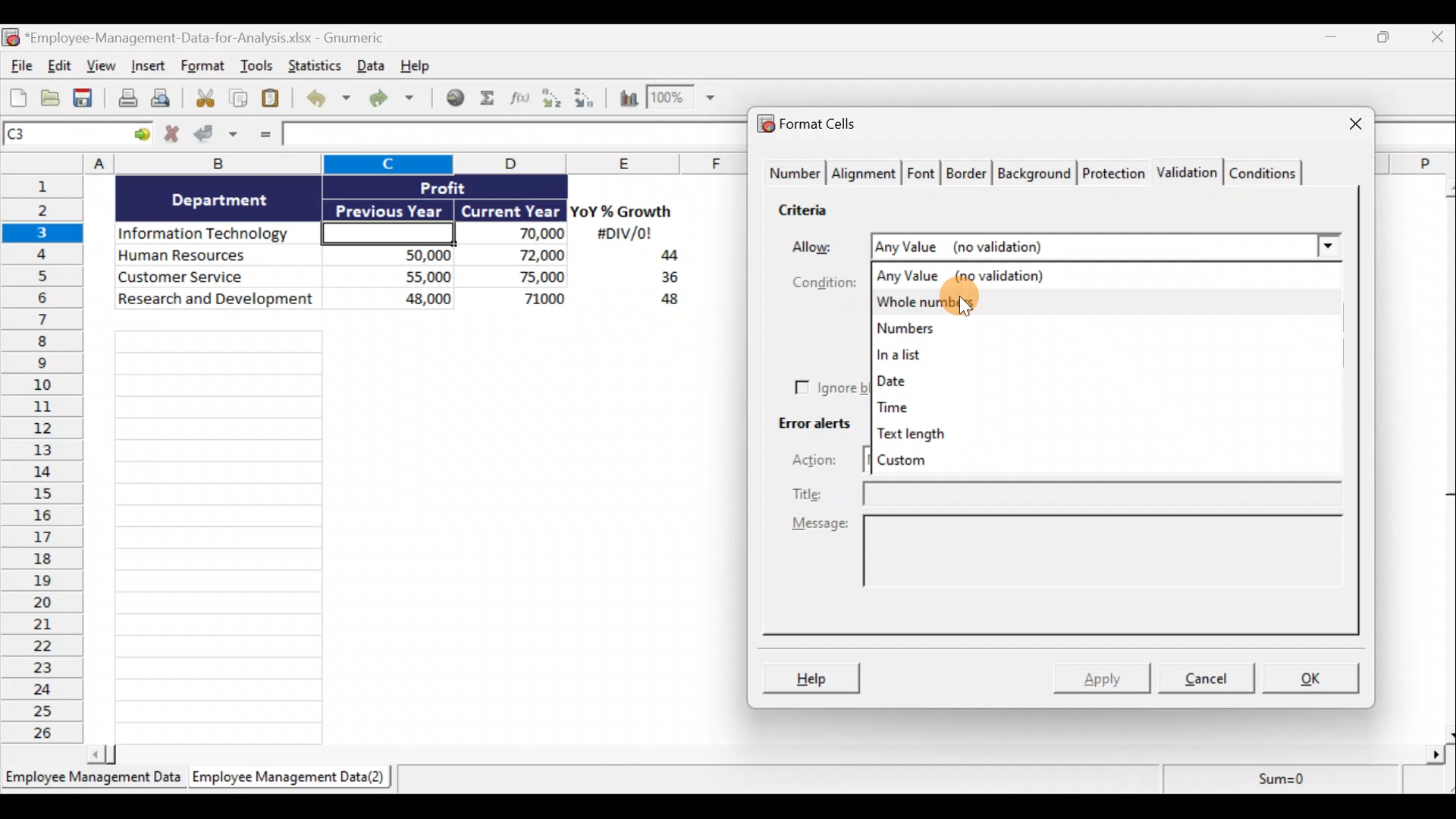  What do you see at coordinates (468, 187) in the screenshot?
I see `Profit` at bounding box center [468, 187].